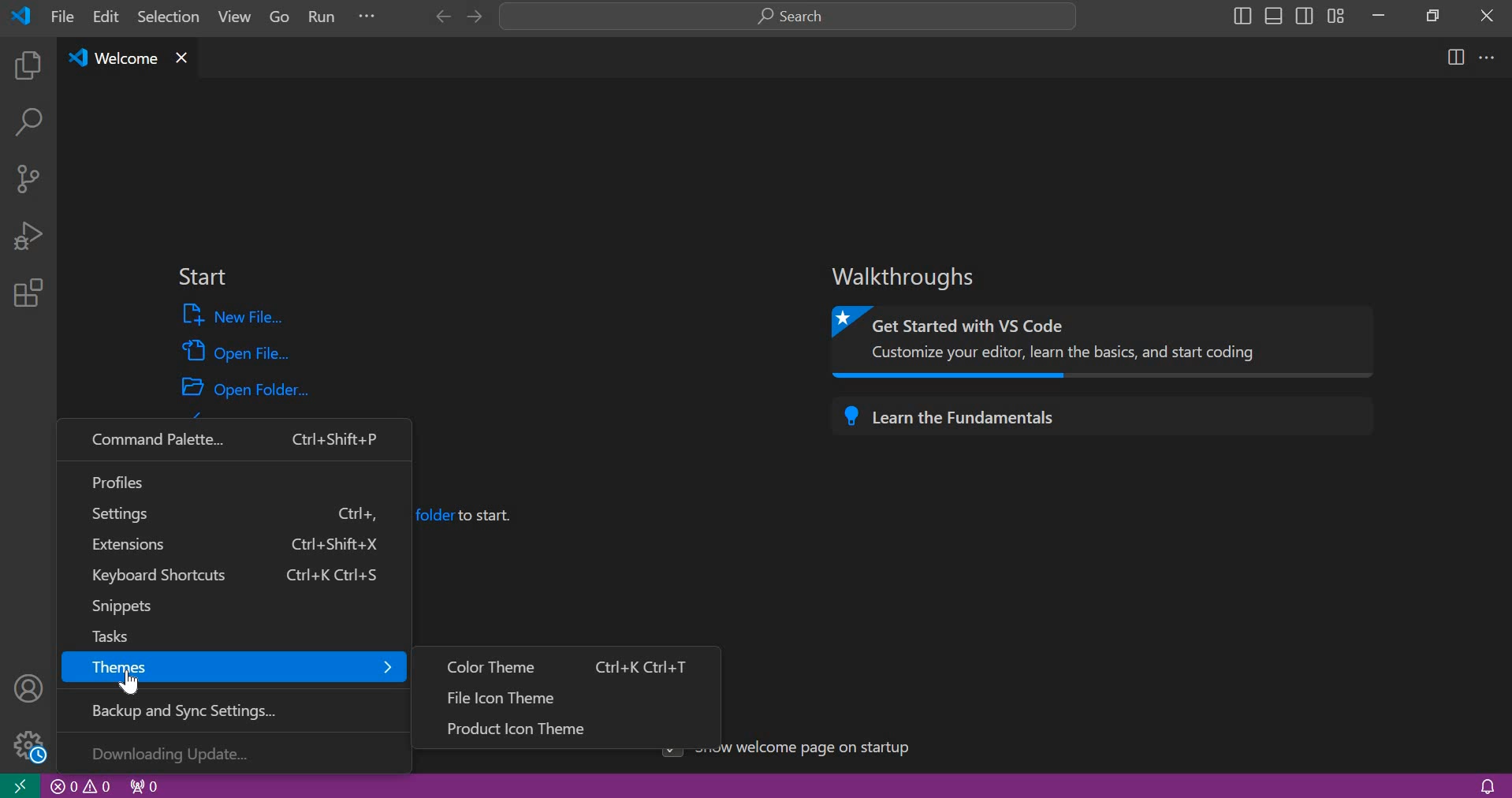  I want to click on learn the fundamentals, so click(1108, 416).